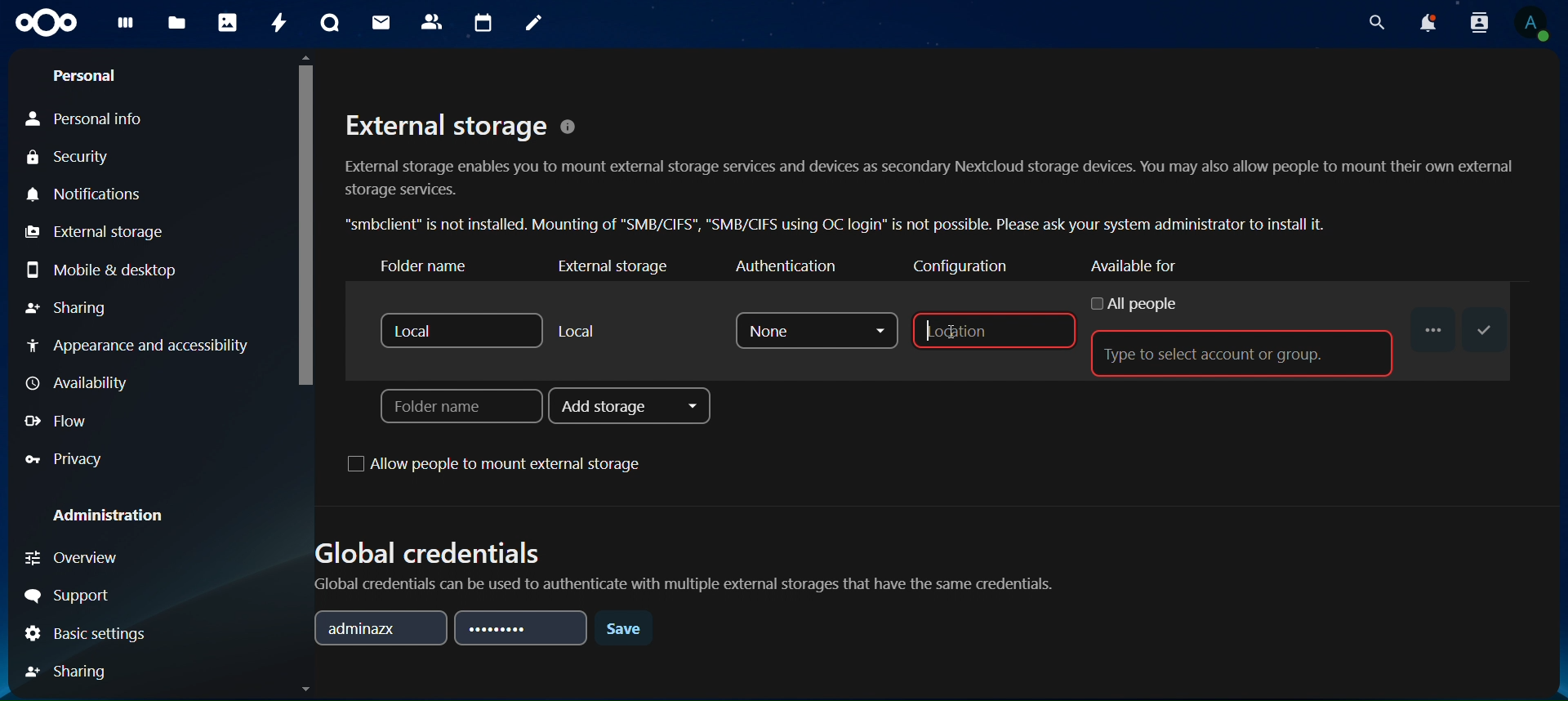 The image size is (1568, 701). I want to click on external storage, so click(93, 232).